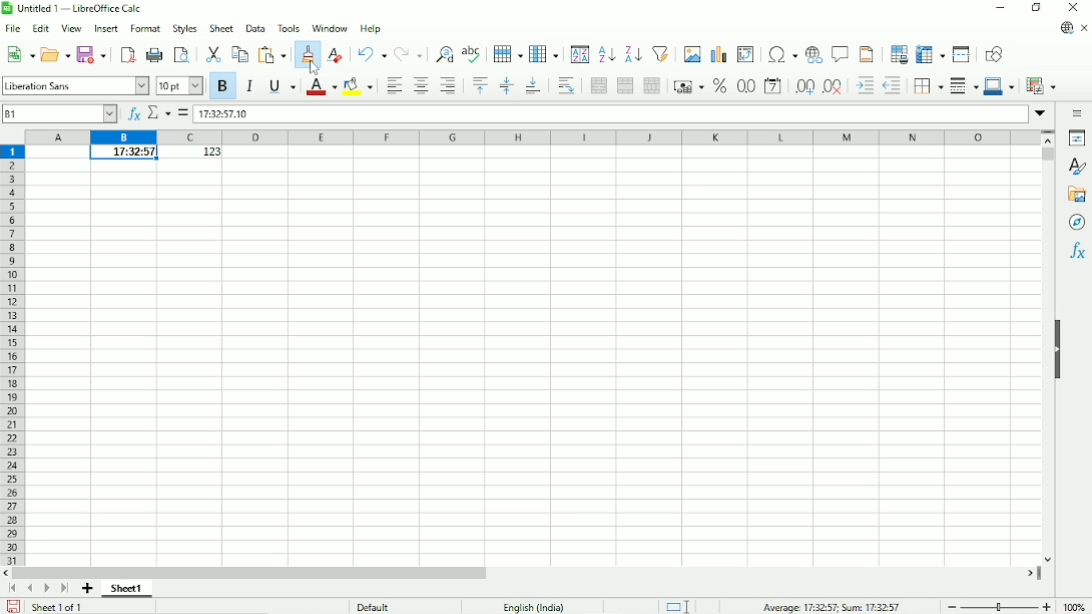 The image size is (1092, 614). What do you see at coordinates (833, 88) in the screenshot?
I see `Delete decimal place` at bounding box center [833, 88].